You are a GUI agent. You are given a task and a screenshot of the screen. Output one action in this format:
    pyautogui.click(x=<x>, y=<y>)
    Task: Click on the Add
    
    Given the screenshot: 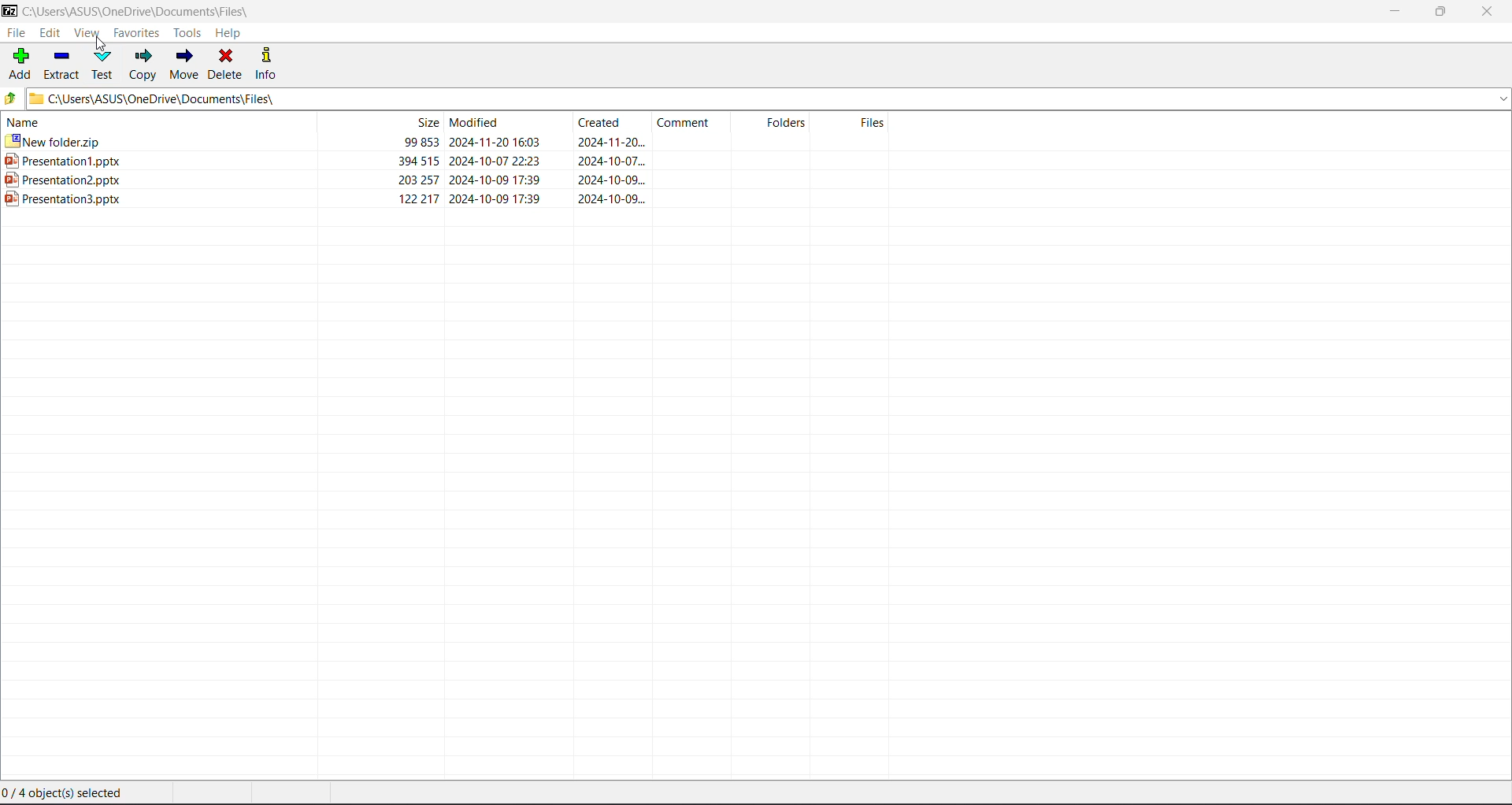 What is the action you would take?
    pyautogui.click(x=21, y=64)
    